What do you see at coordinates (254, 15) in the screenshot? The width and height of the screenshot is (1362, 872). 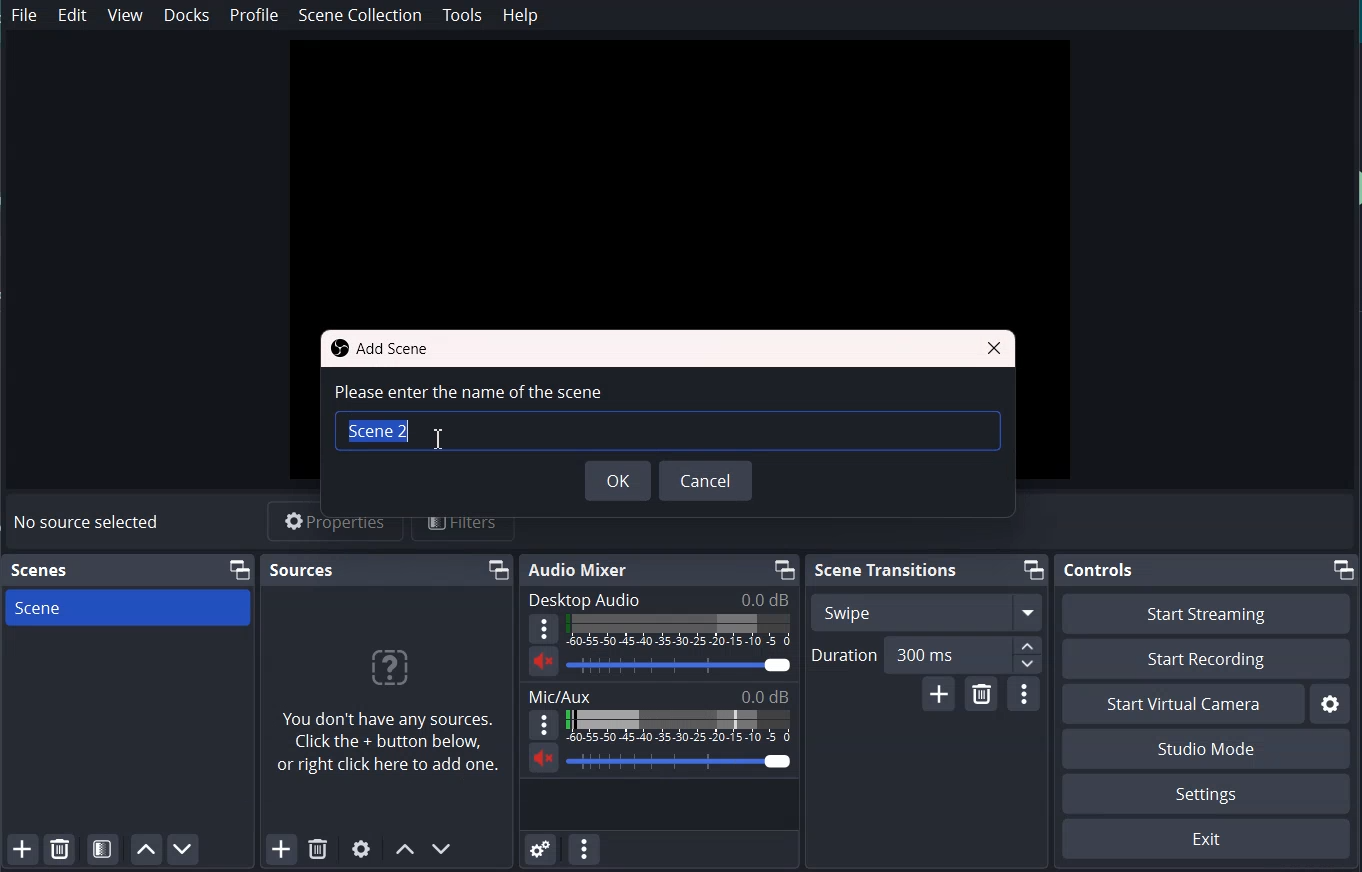 I see `Profile` at bounding box center [254, 15].